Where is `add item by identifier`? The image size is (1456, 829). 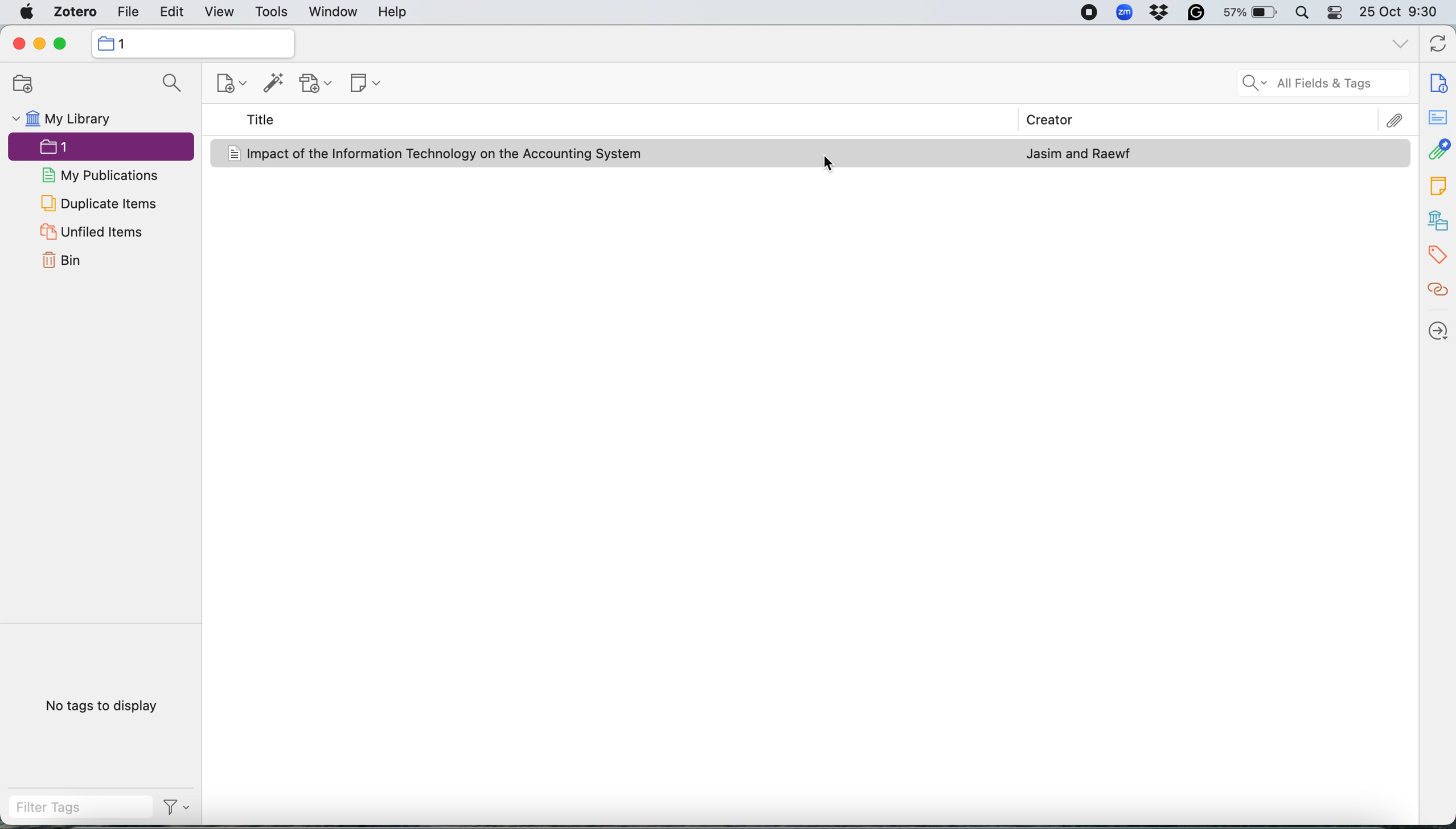 add item by identifier is located at coordinates (273, 84).